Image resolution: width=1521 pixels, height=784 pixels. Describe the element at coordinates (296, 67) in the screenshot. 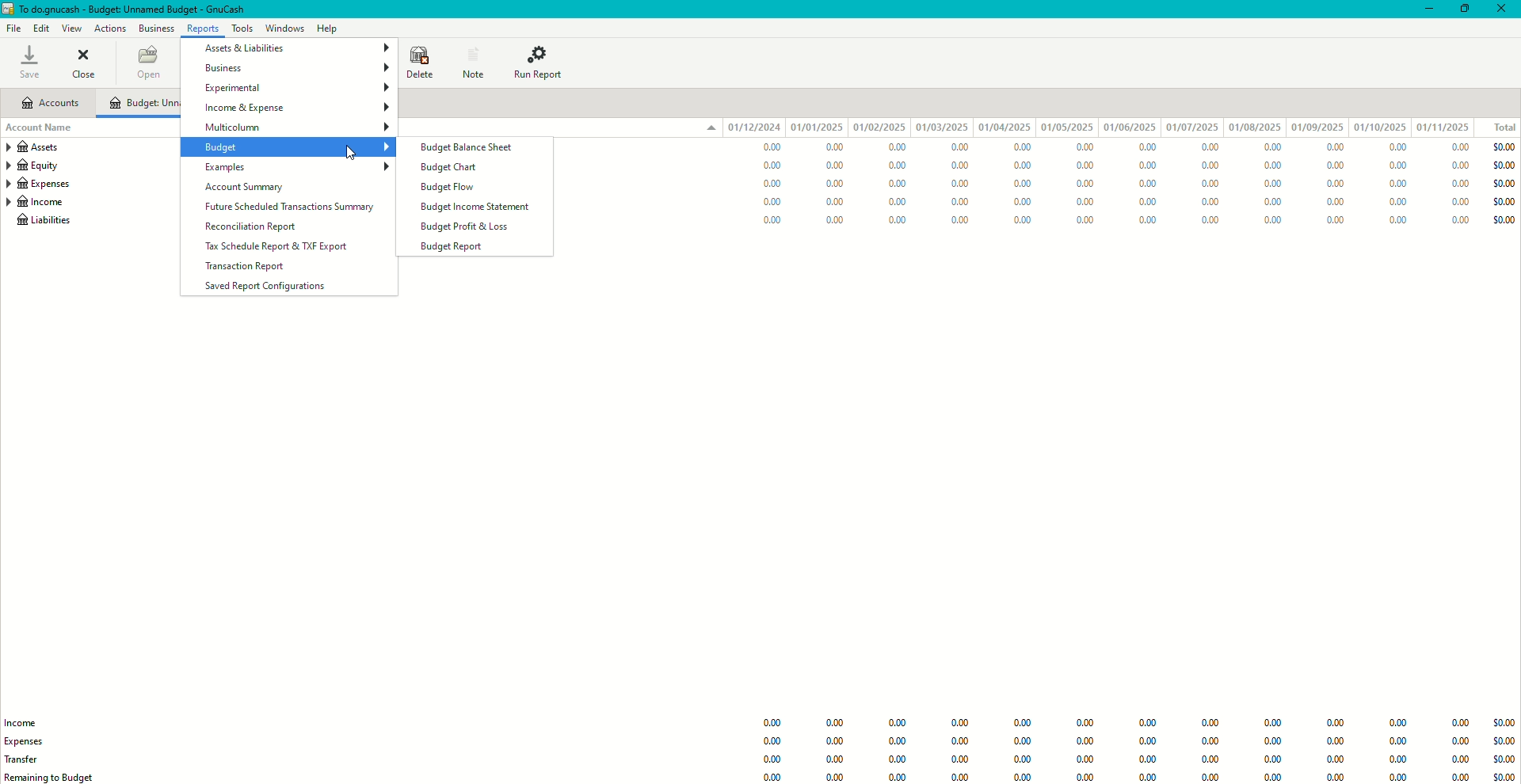

I see `Business` at that location.